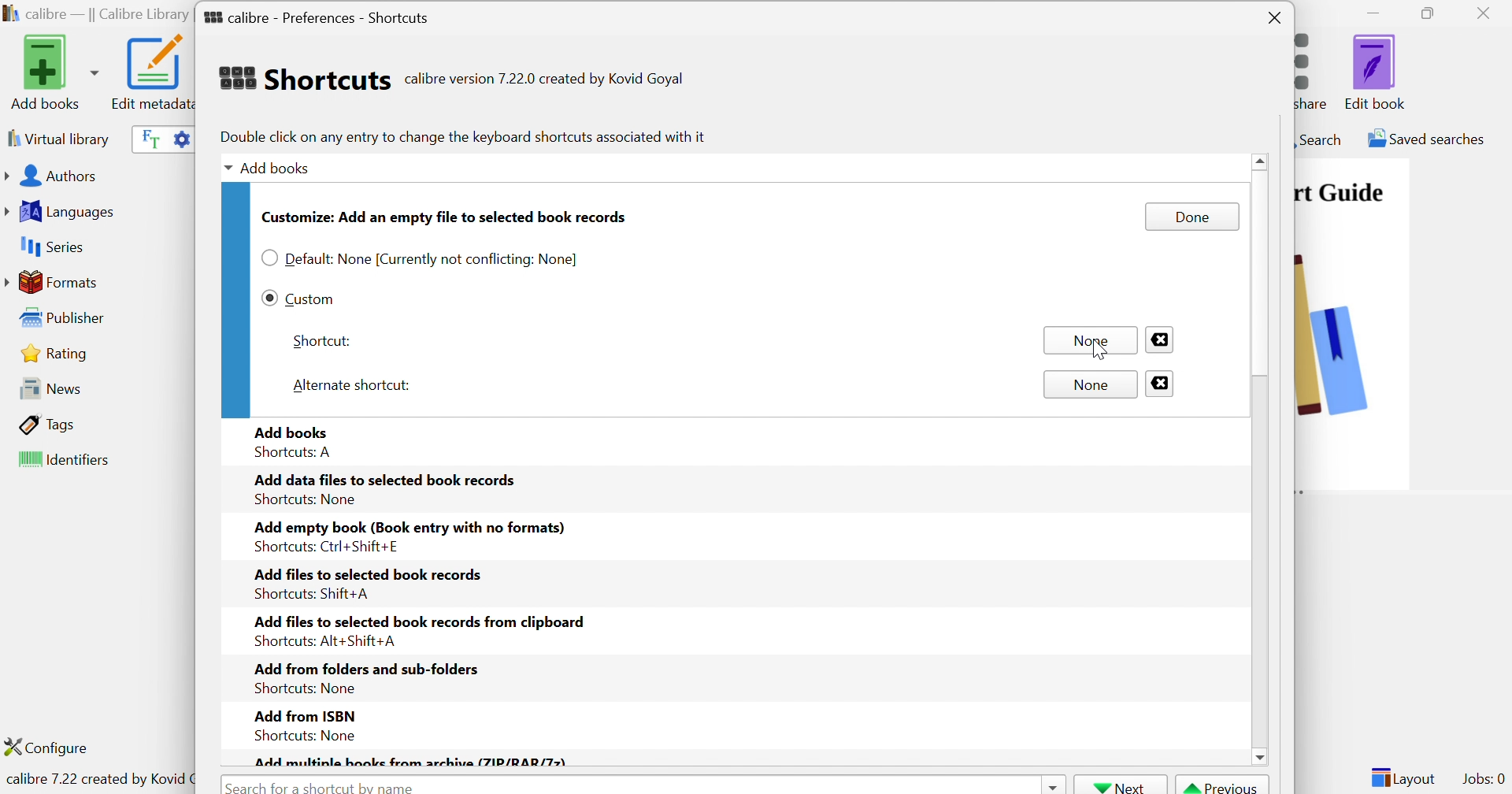 The image size is (1512, 794). What do you see at coordinates (300, 735) in the screenshot?
I see `Shortcuts: None` at bounding box center [300, 735].